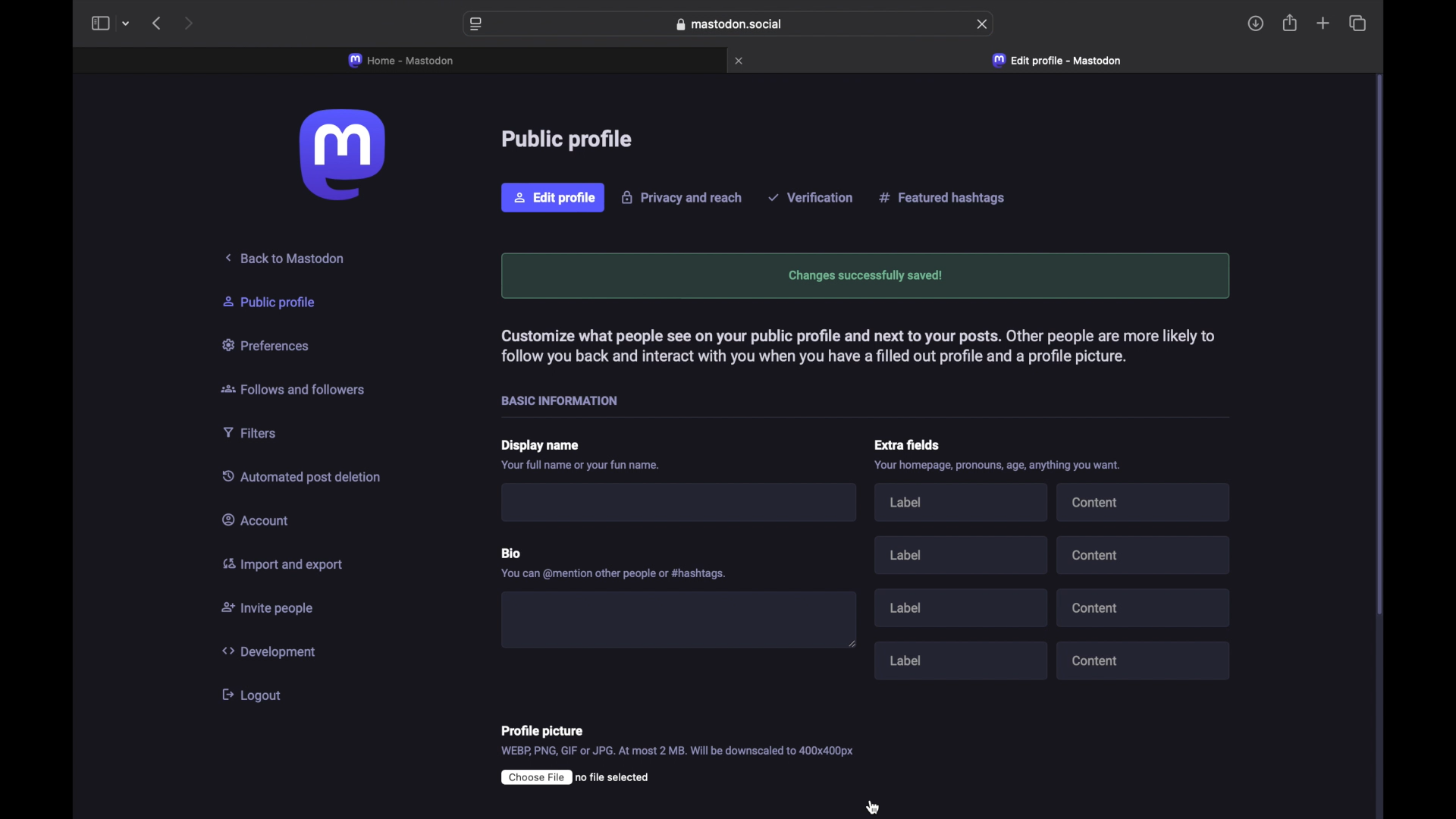 The image size is (1456, 819). Describe the element at coordinates (156, 24) in the screenshot. I see `back` at that location.